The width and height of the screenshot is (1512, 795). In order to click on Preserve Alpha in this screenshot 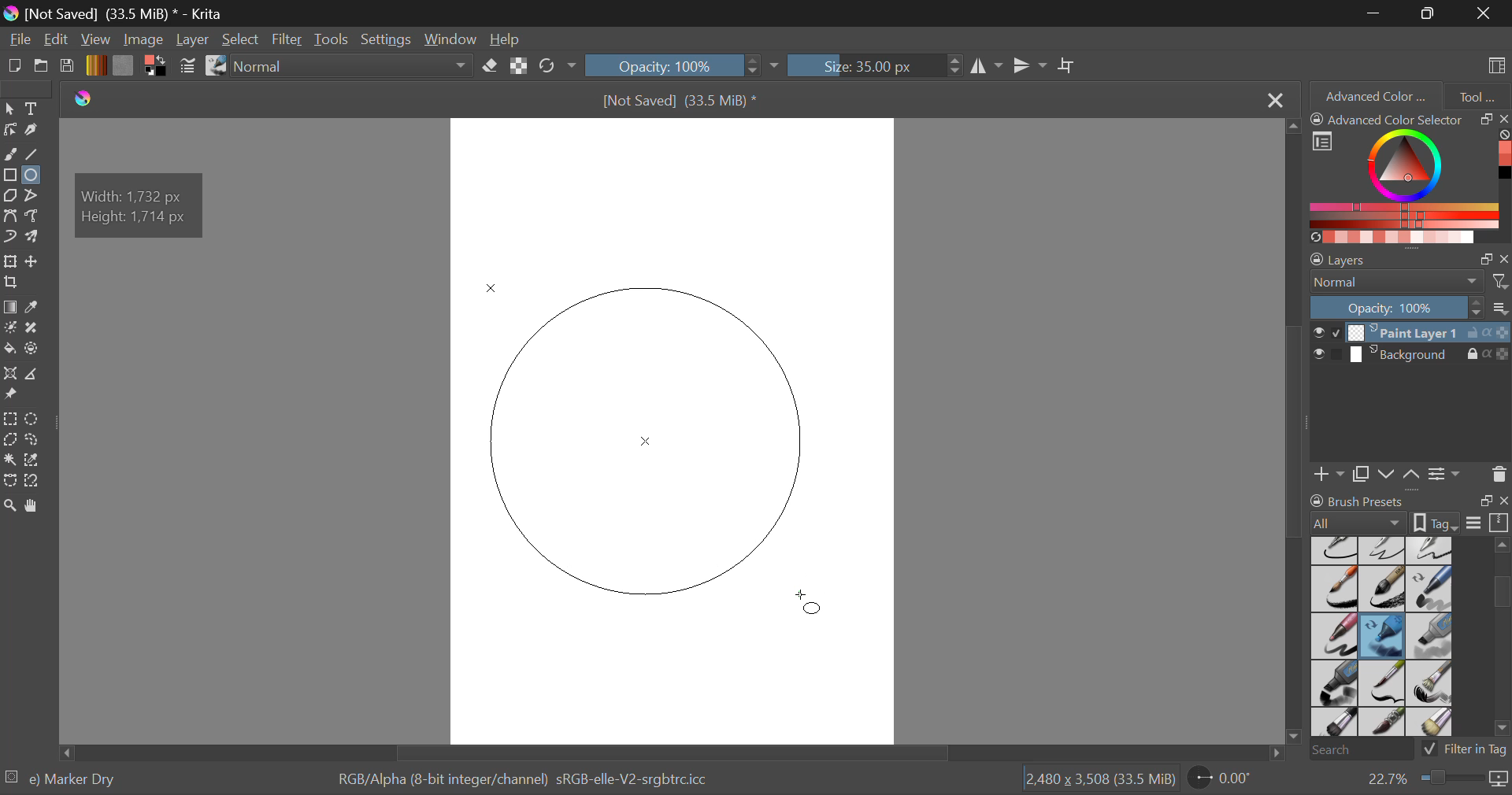, I will do `click(518, 66)`.